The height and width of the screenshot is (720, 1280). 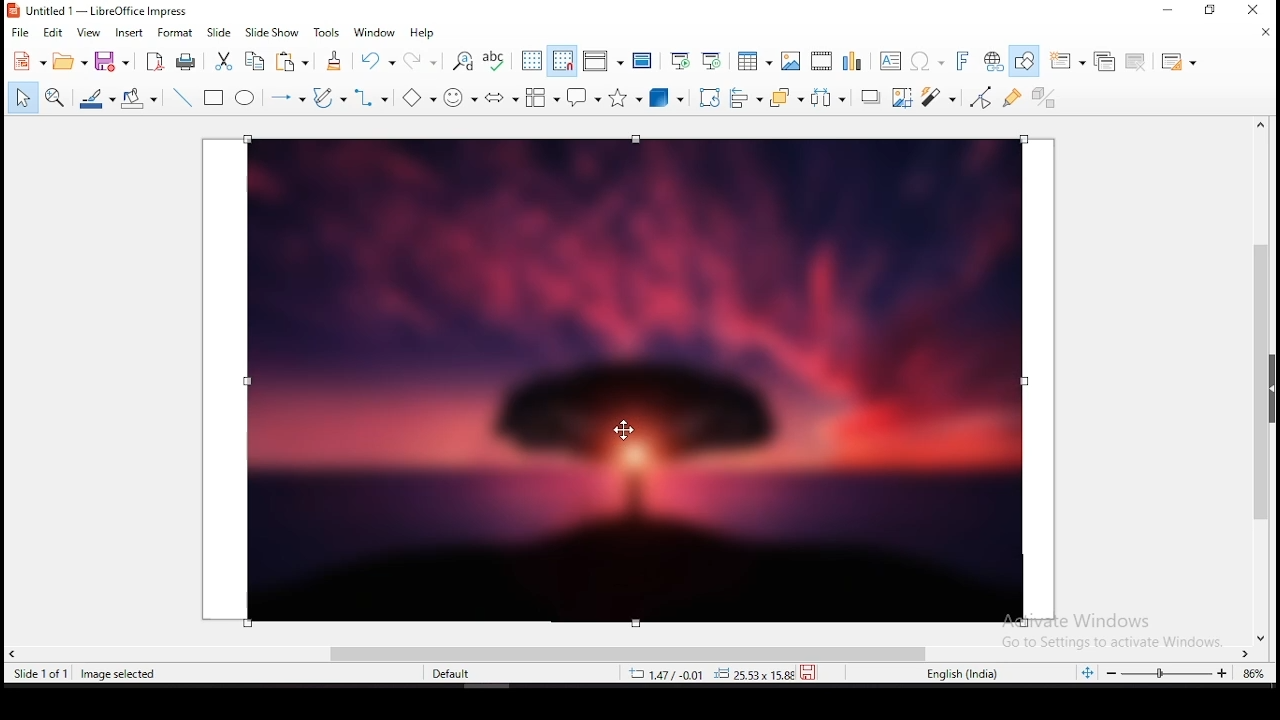 What do you see at coordinates (20, 99) in the screenshot?
I see `select tool` at bounding box center [20, 99].